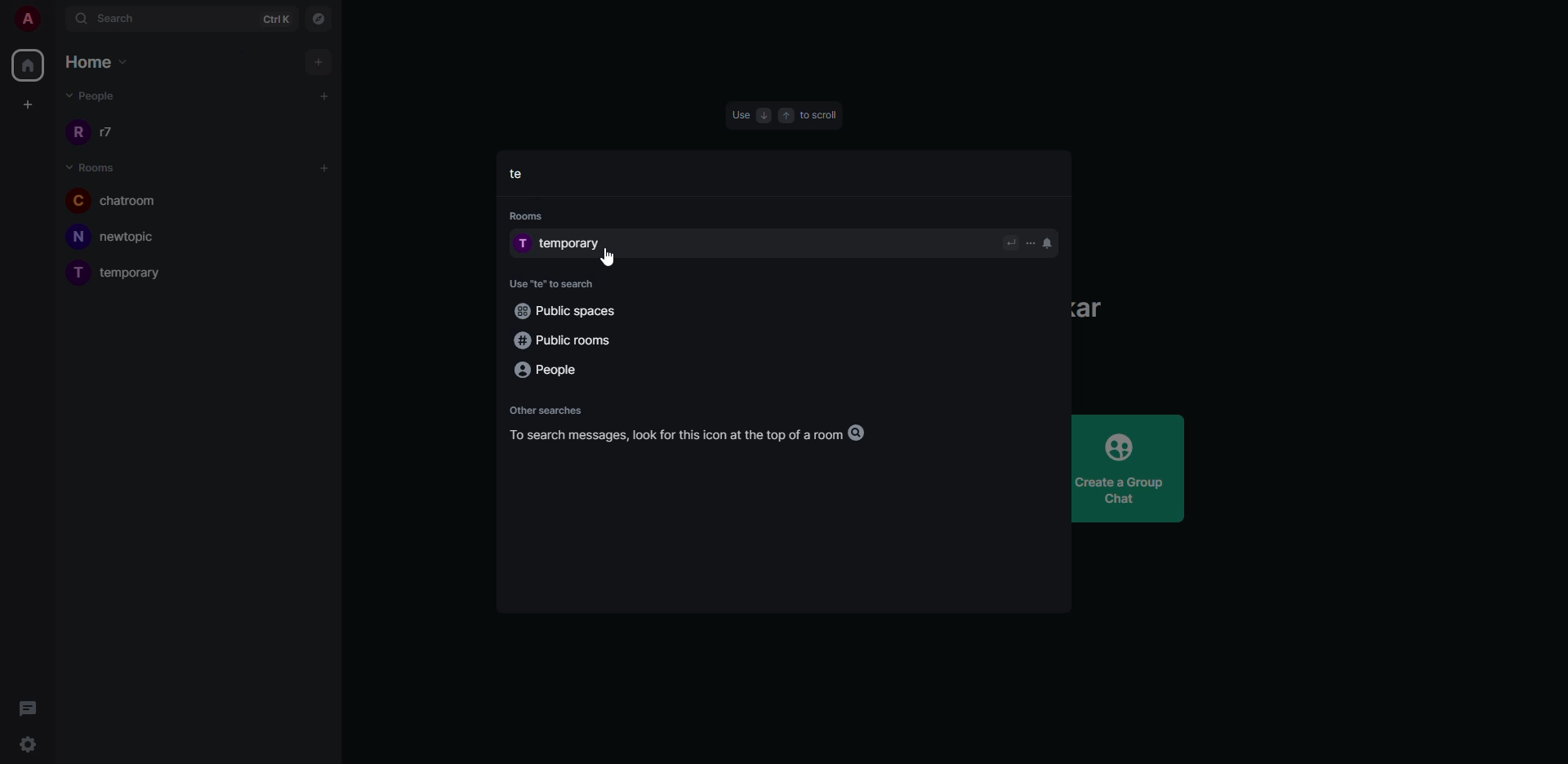 The height and width of the screenshot is (764, 1568). I want to click on Create a Group Chat, so click(1129, 469).